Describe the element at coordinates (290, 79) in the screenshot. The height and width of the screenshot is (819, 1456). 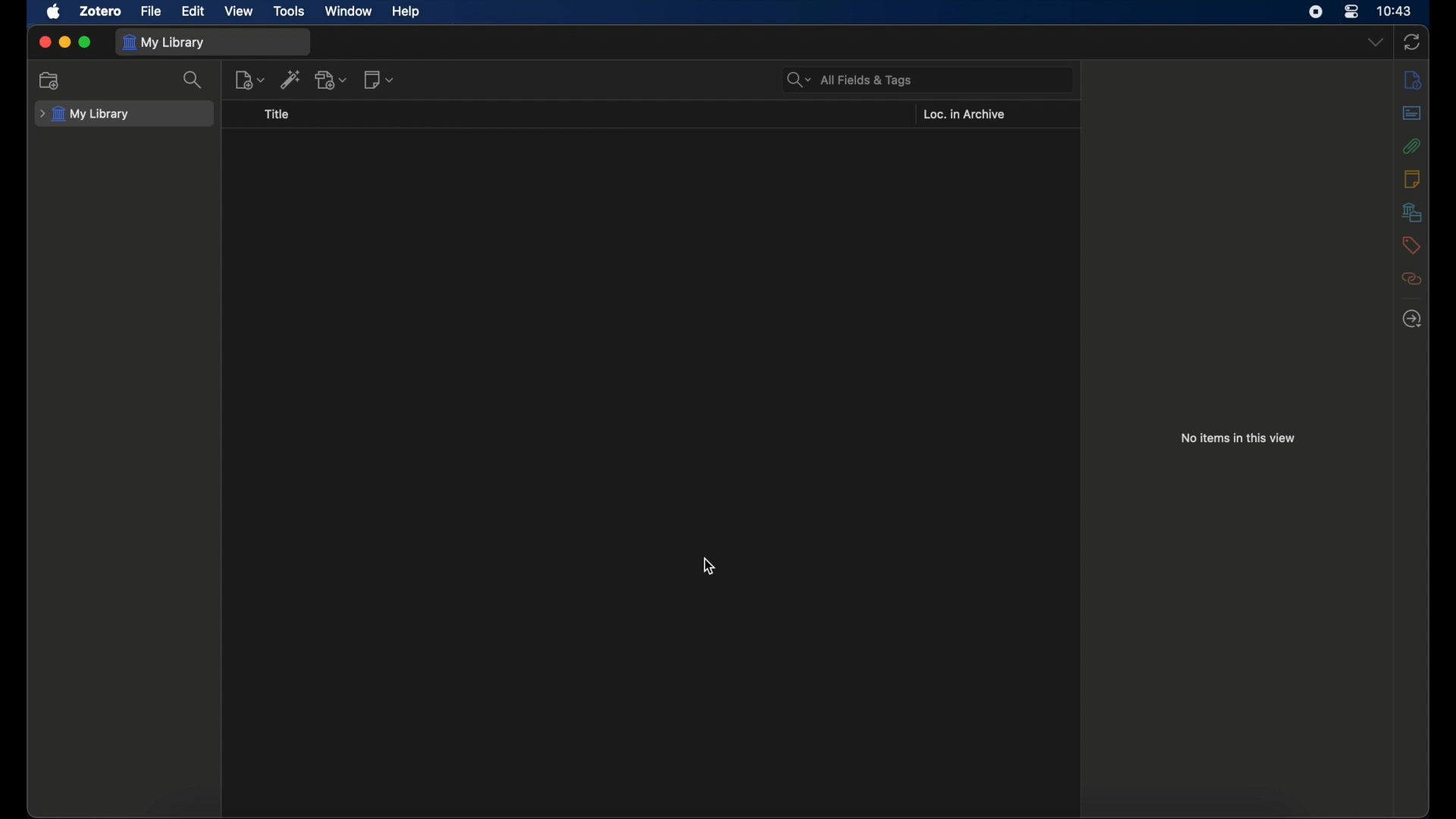
I see `add item by identifier` at that location.